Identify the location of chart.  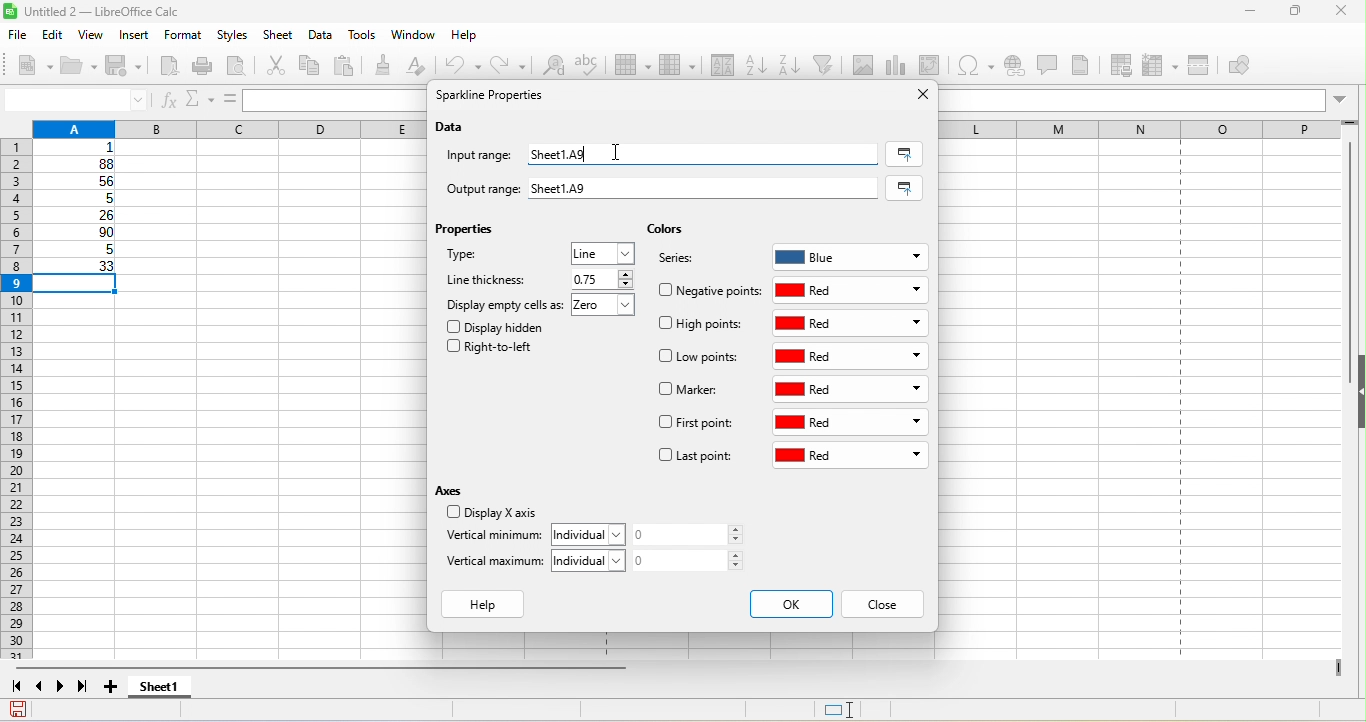
(899, 65).